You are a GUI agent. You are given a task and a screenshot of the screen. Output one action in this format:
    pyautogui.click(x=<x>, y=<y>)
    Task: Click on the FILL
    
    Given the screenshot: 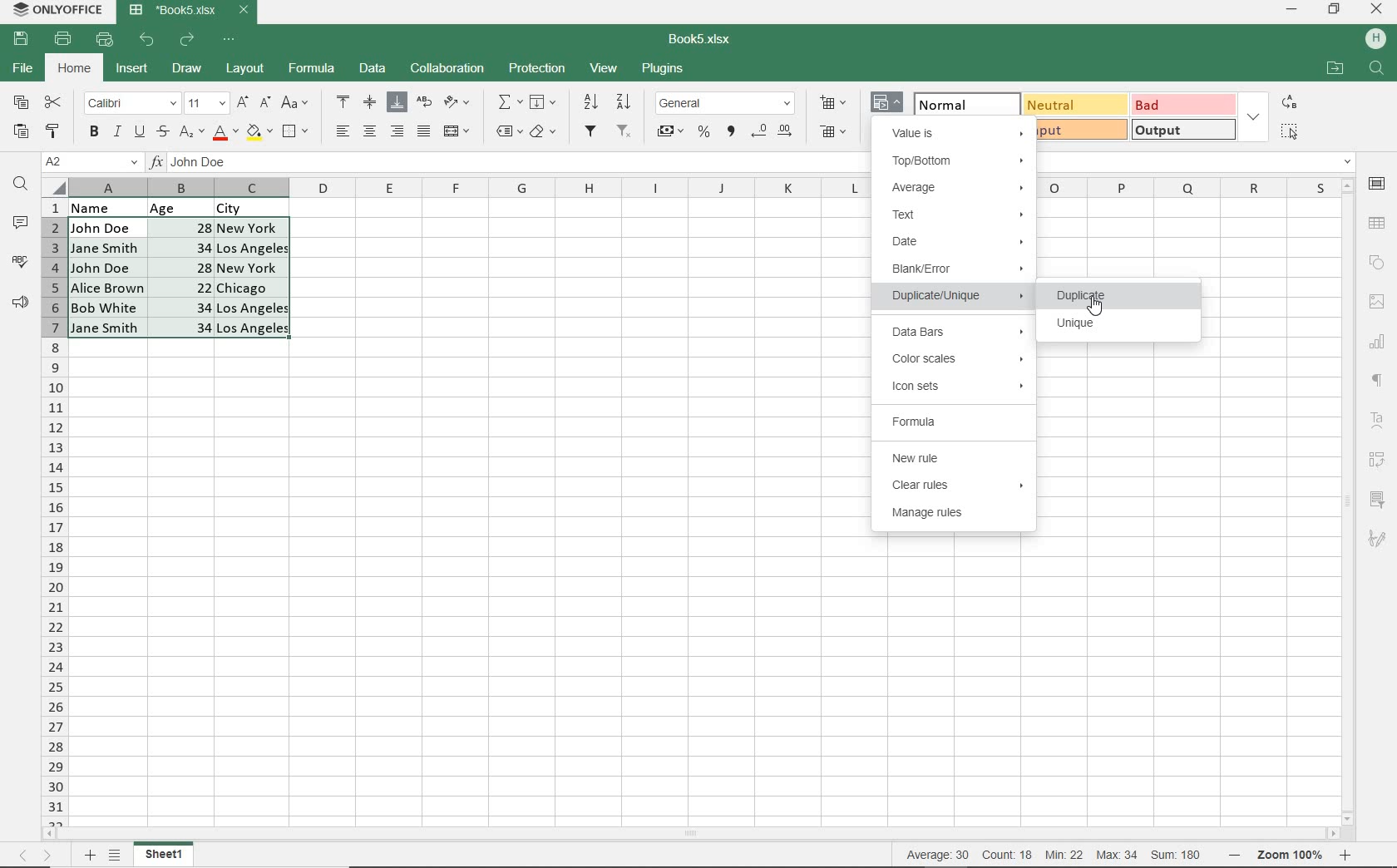 What is the action you would take?
    pyautogui.click(x=547, y=103)
    